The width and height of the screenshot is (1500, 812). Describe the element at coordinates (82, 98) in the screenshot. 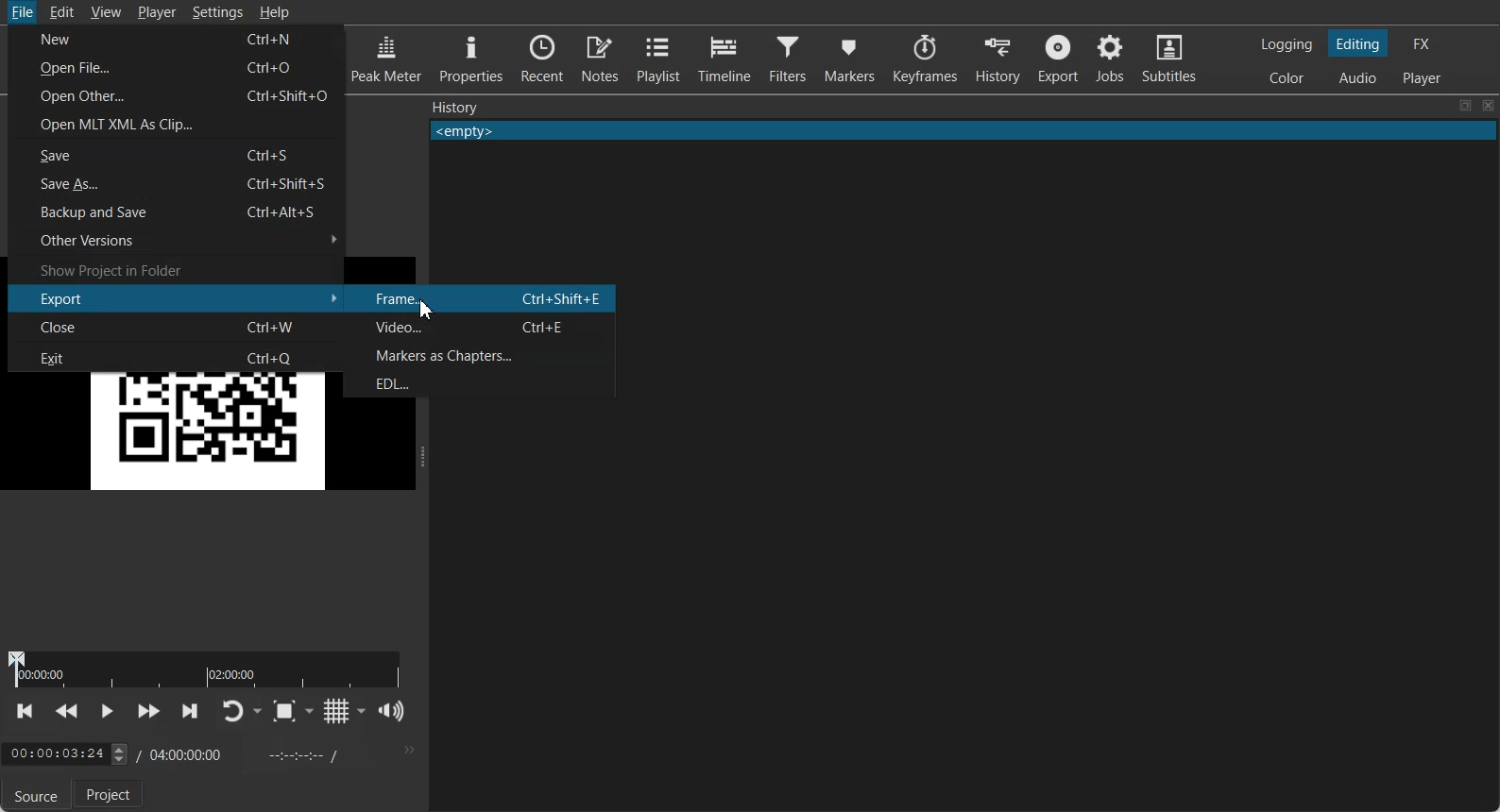

I see `Open Other` at that location.